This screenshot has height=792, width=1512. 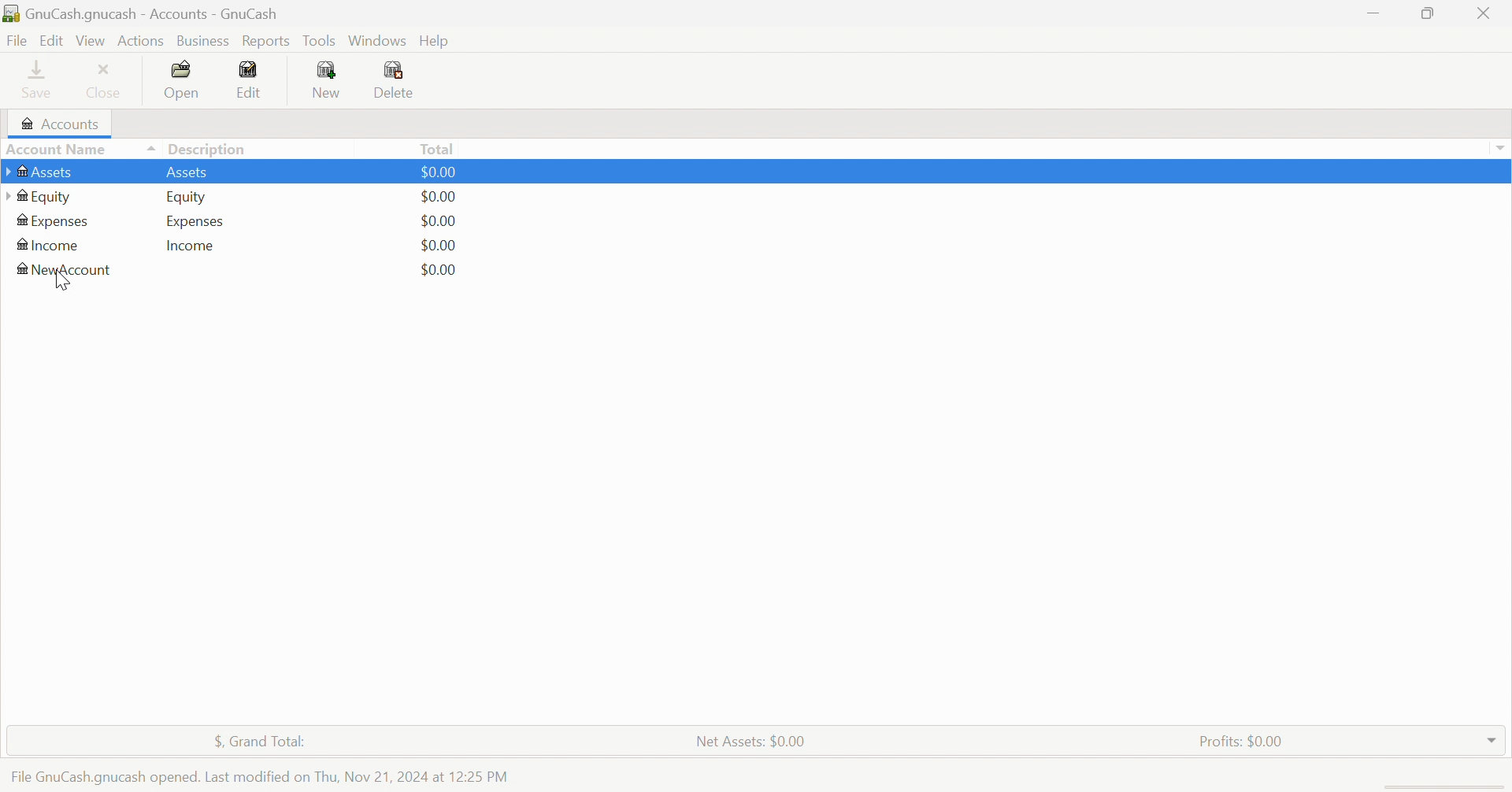 What do you see at coordinates (212, 148) in the screenshot?
I see `Description` at bounding box center [212, 148].